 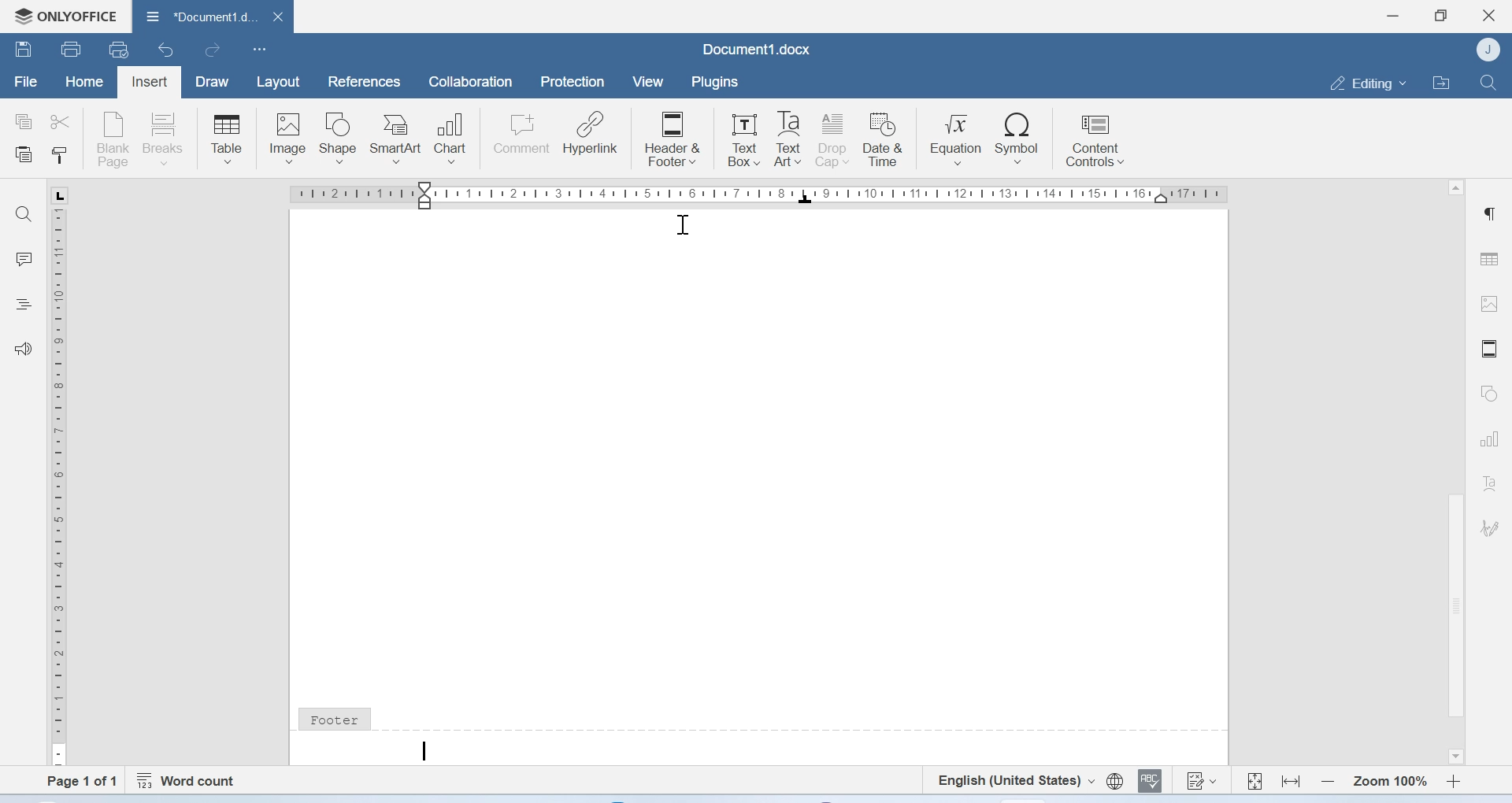 I want to click on copy, so click(x=24, y=122).